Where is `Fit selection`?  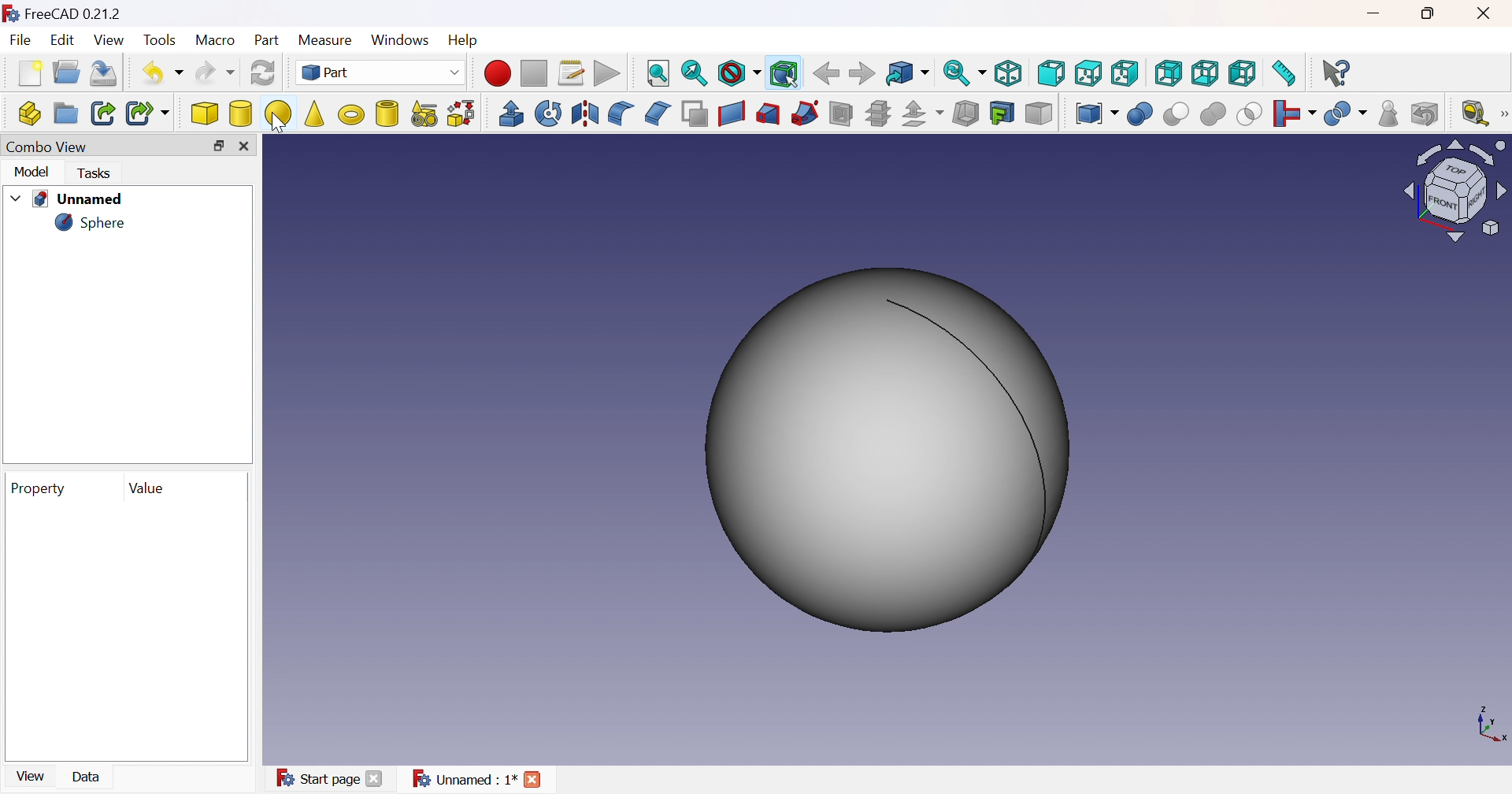 Fit selection is located at coordinates (694, 74).